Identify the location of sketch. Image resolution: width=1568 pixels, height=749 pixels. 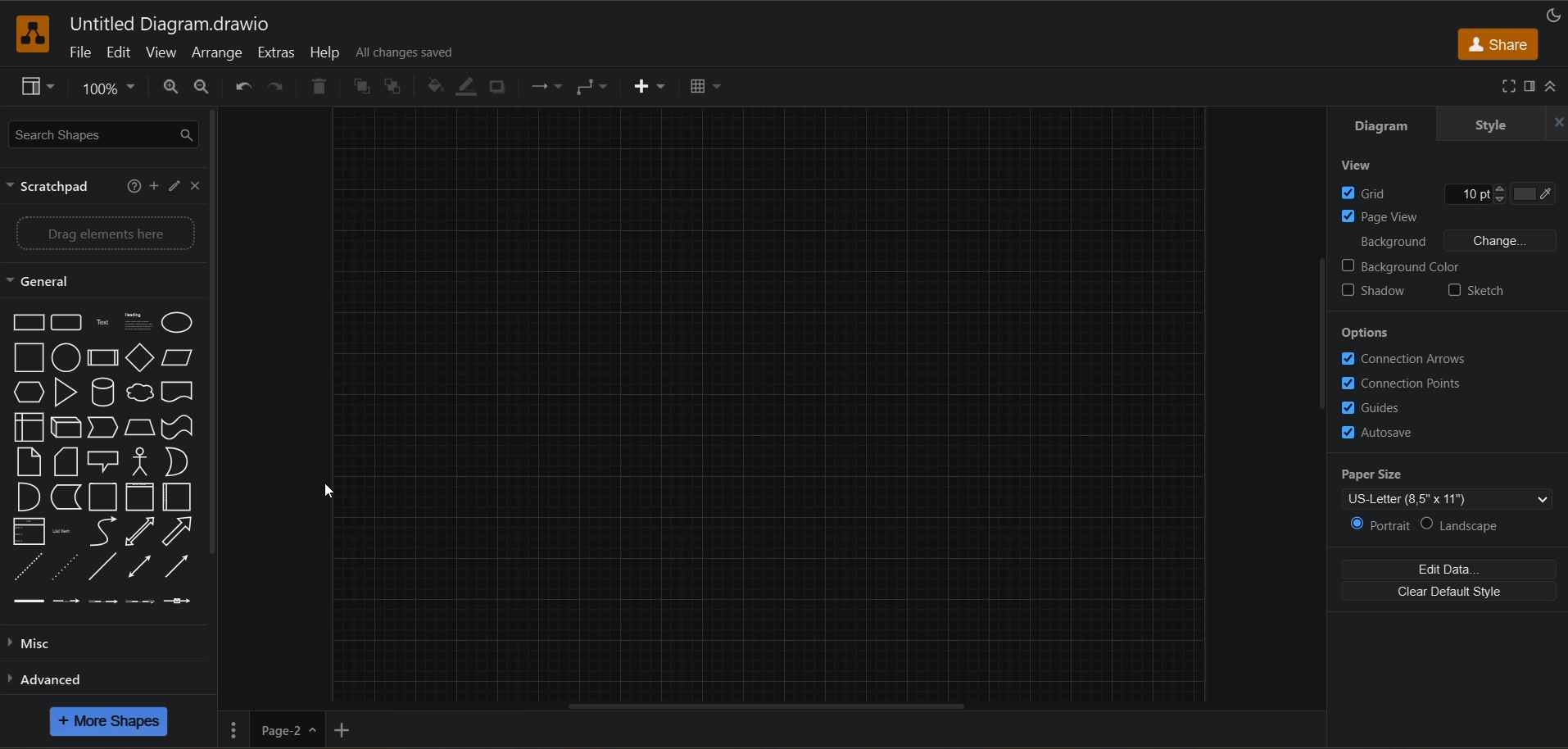
(1477, 292).